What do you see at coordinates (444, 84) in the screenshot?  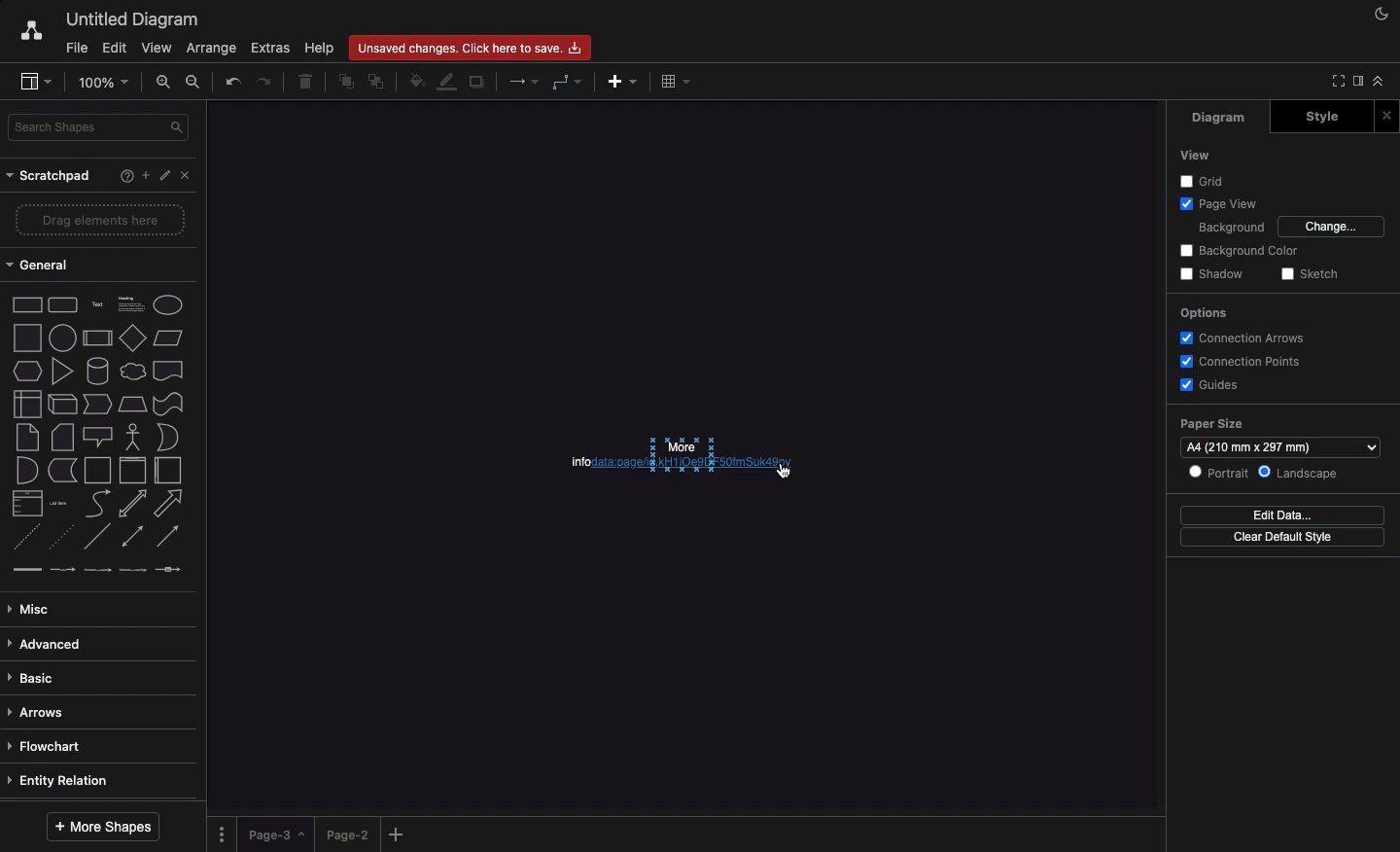 I see `Line color` at bounding box center [444, 84].